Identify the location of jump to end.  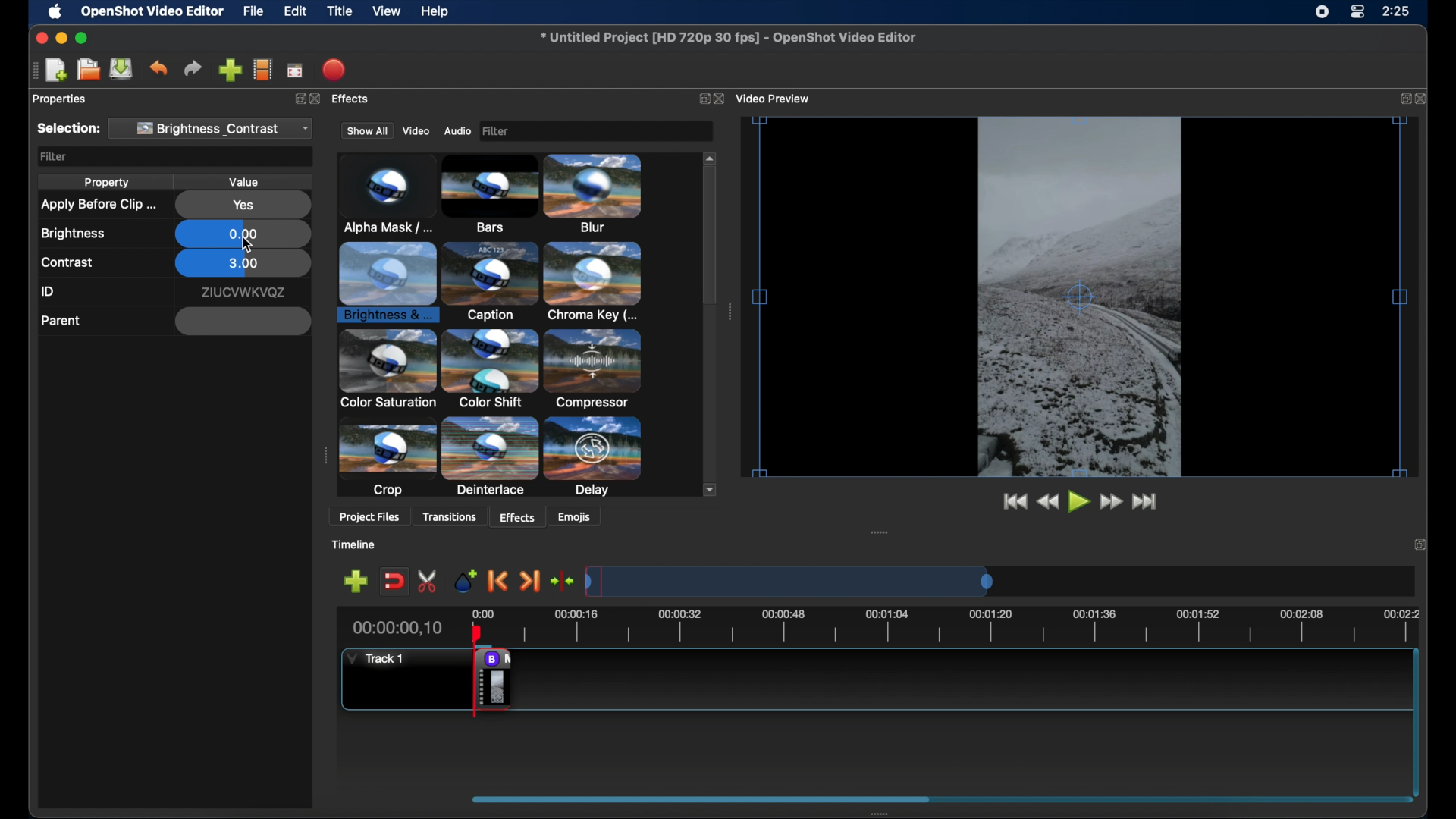
(1149, 504).